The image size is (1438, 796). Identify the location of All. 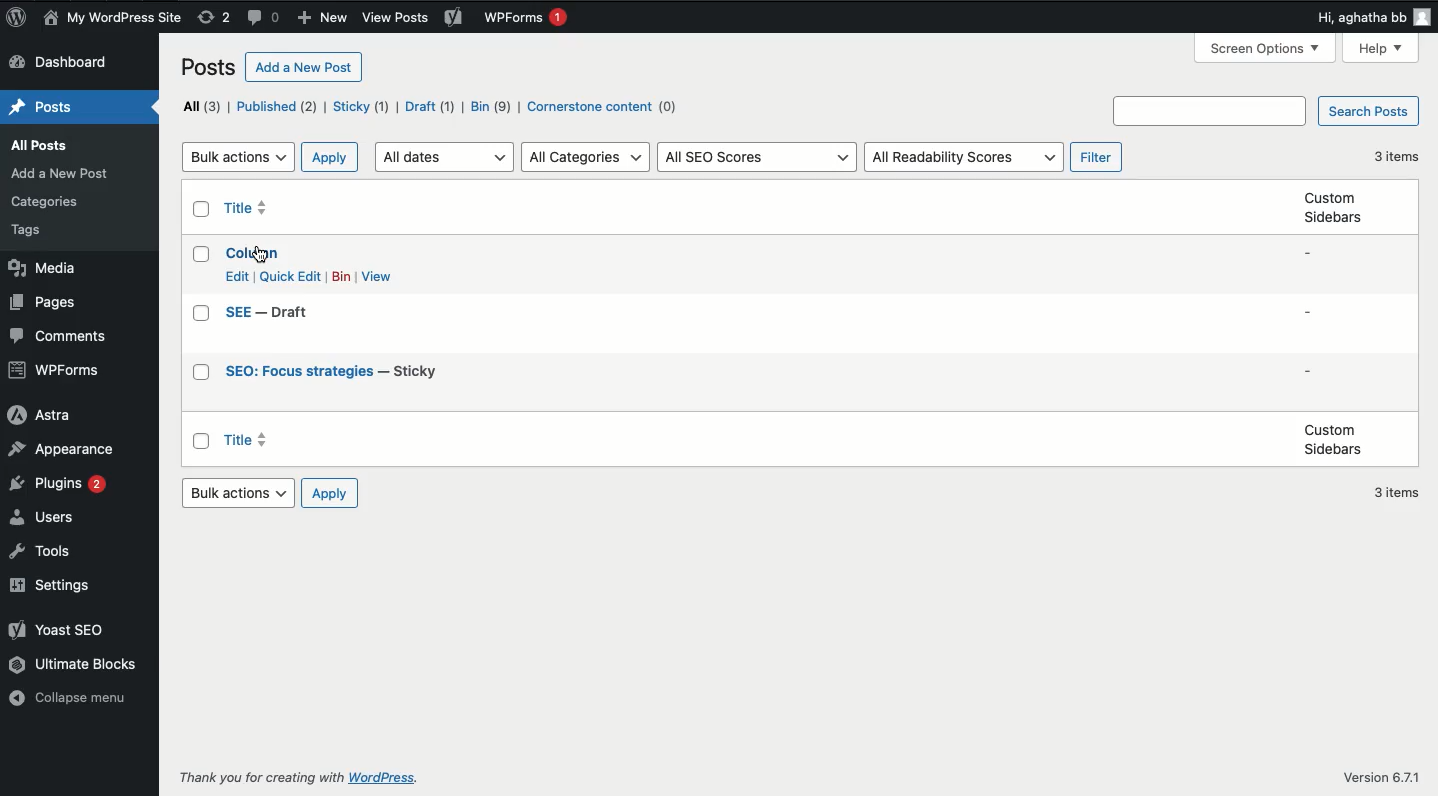
(200, 106).